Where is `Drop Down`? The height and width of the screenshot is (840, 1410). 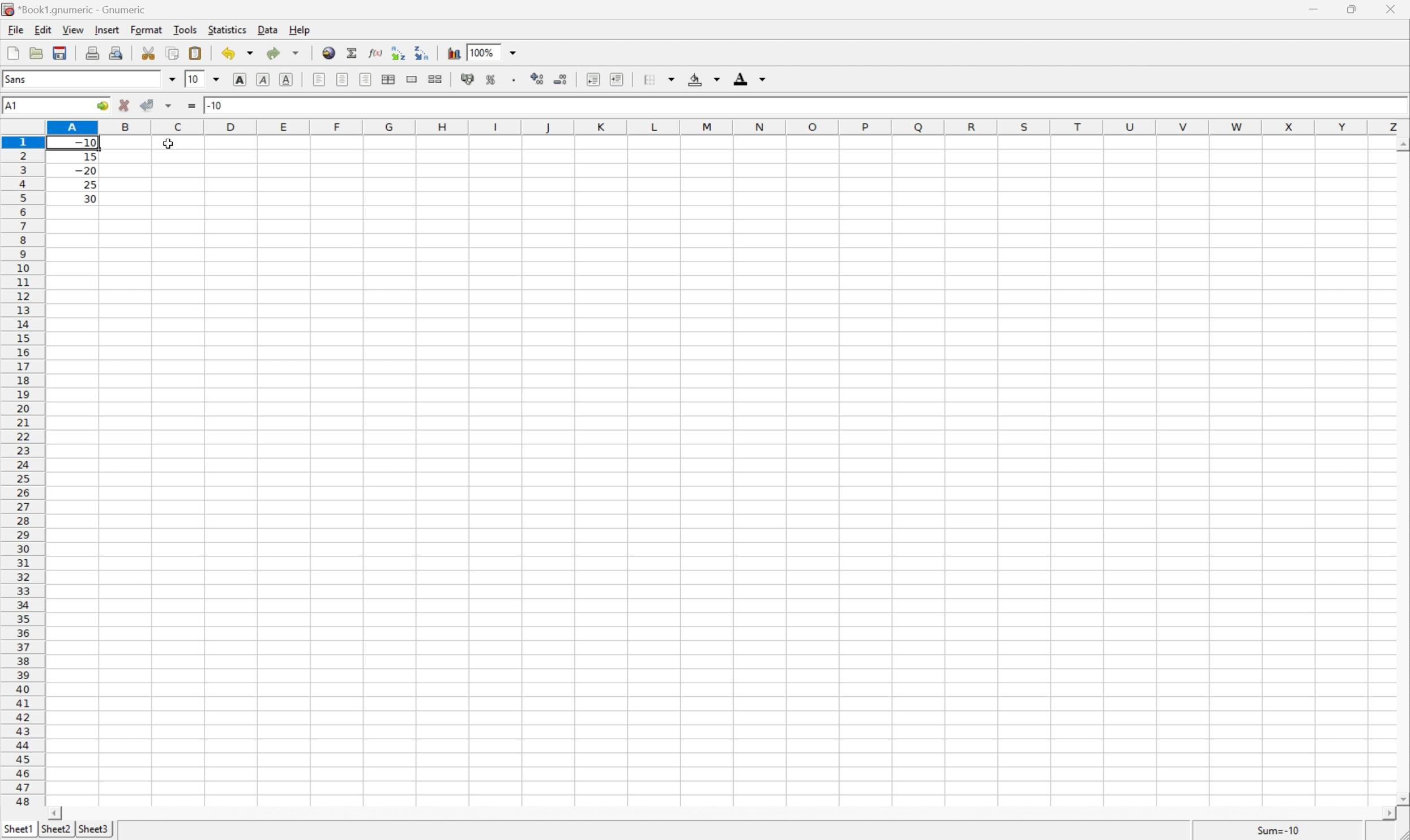
Drop Down is located at coordinates (674, 77).